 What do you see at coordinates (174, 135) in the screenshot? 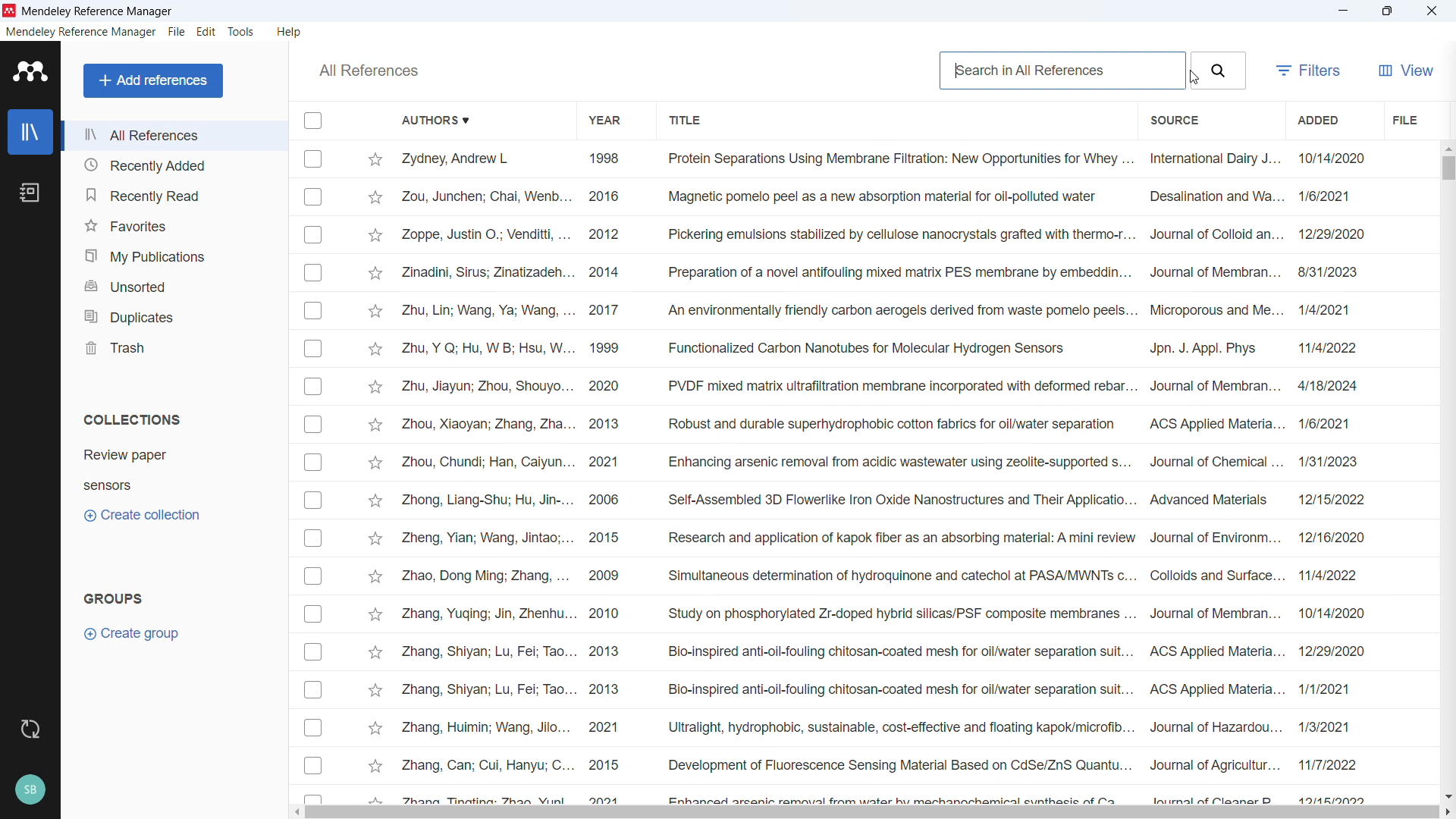
I see `All references ` at bounding box center [174, 135].